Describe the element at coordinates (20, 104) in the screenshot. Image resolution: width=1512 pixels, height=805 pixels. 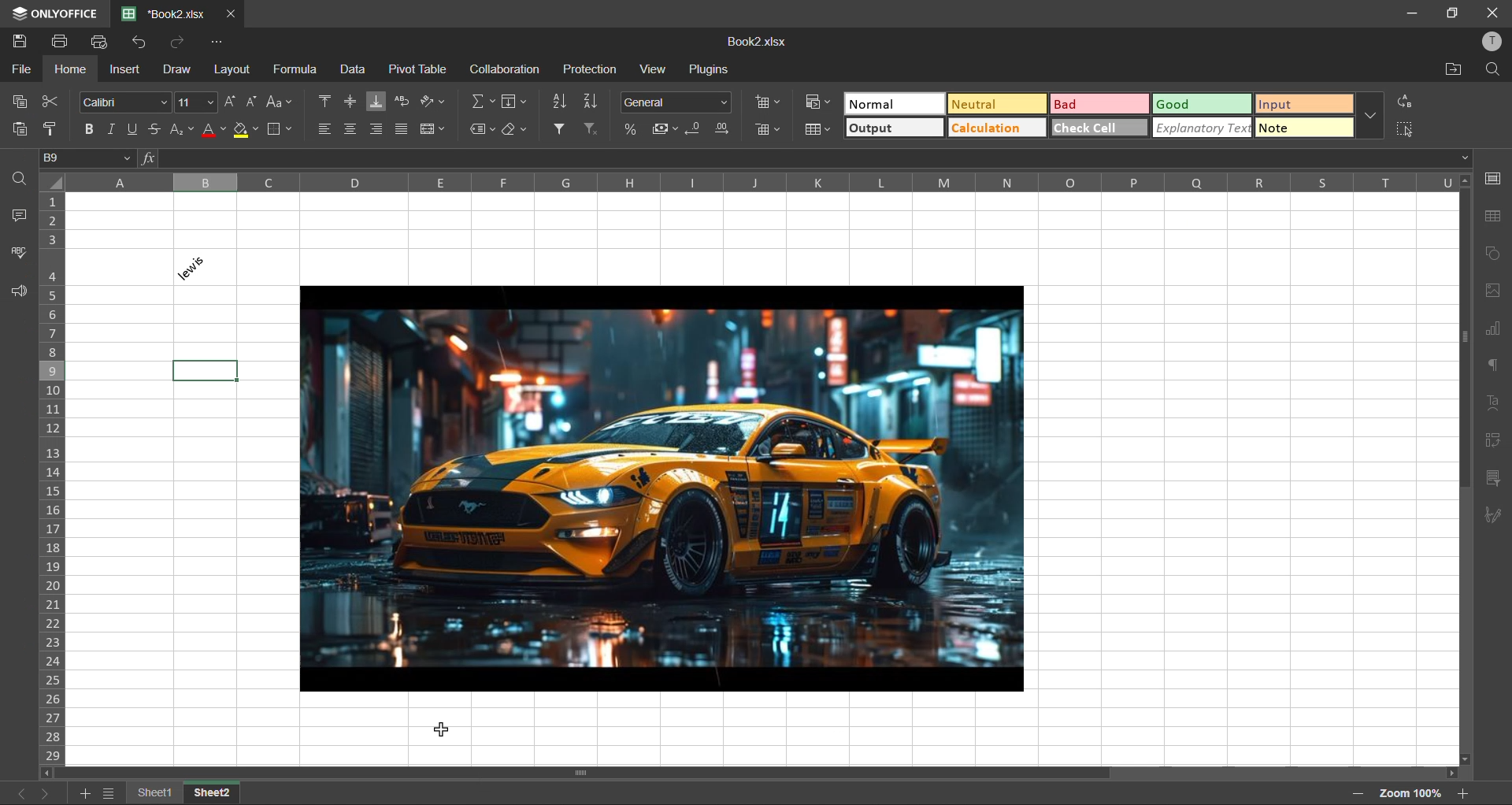
I see `copy` at that location.